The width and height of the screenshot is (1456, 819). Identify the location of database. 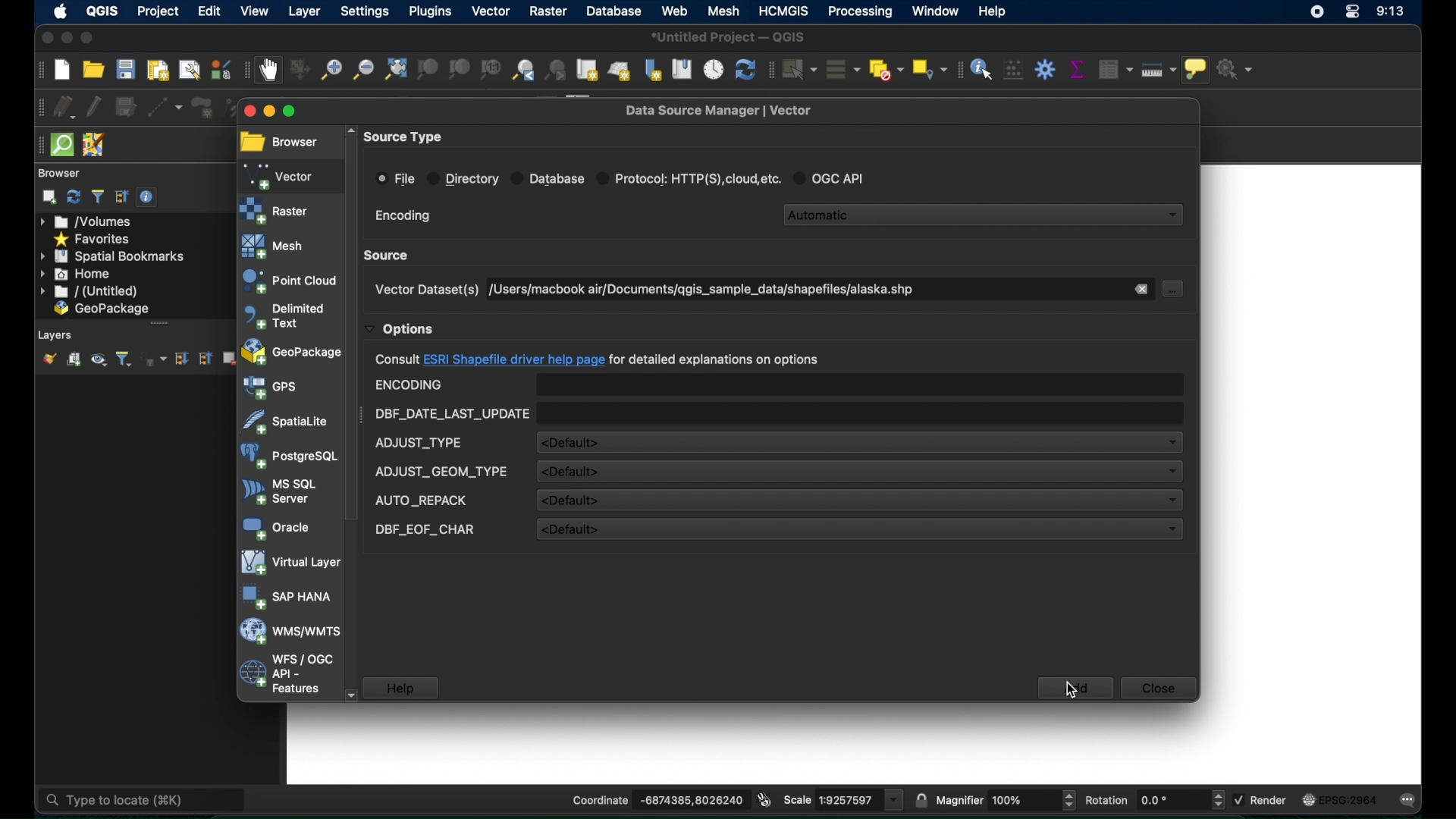
(613, 11).